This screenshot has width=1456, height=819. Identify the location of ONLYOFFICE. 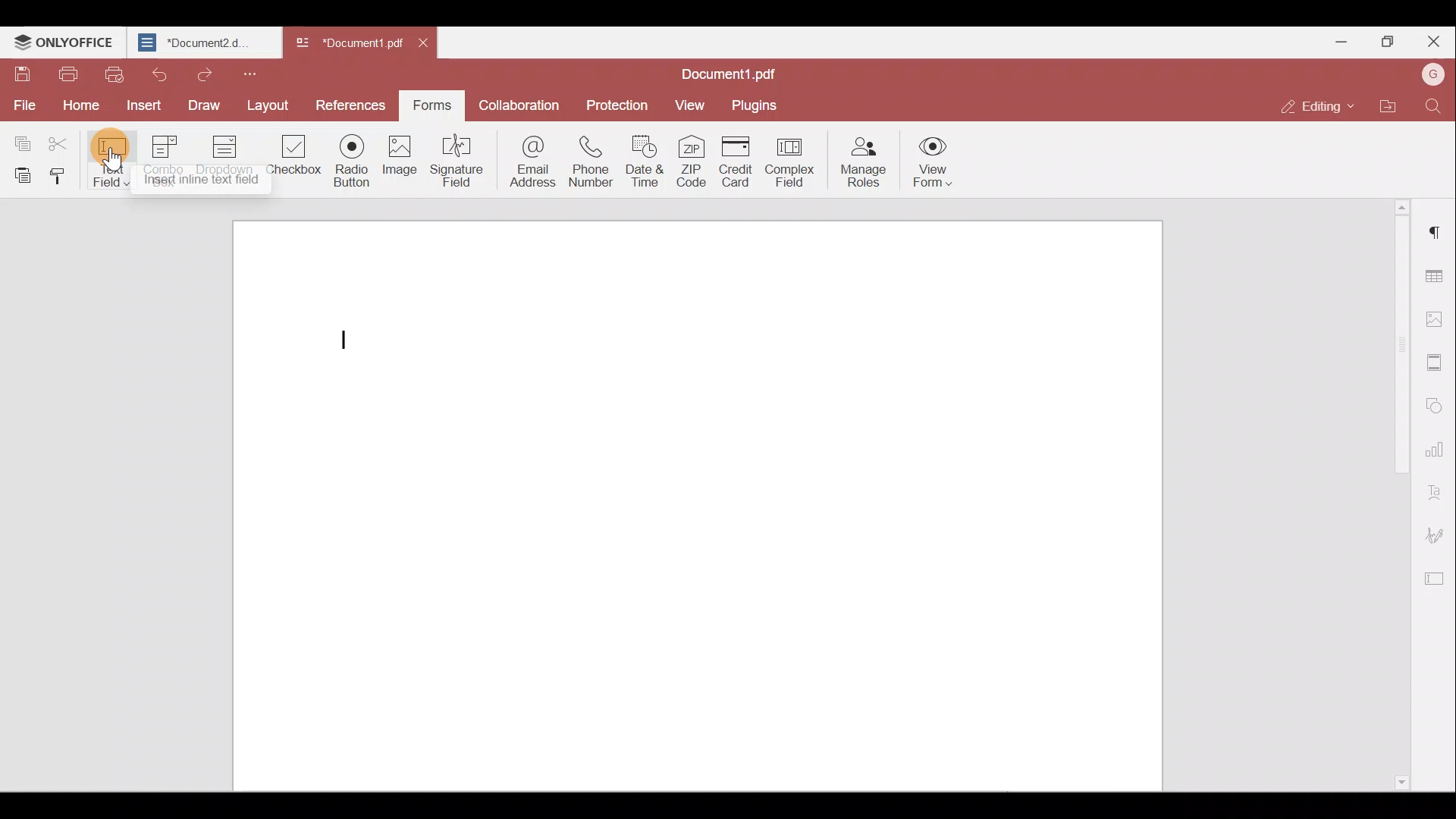
(64, 42).